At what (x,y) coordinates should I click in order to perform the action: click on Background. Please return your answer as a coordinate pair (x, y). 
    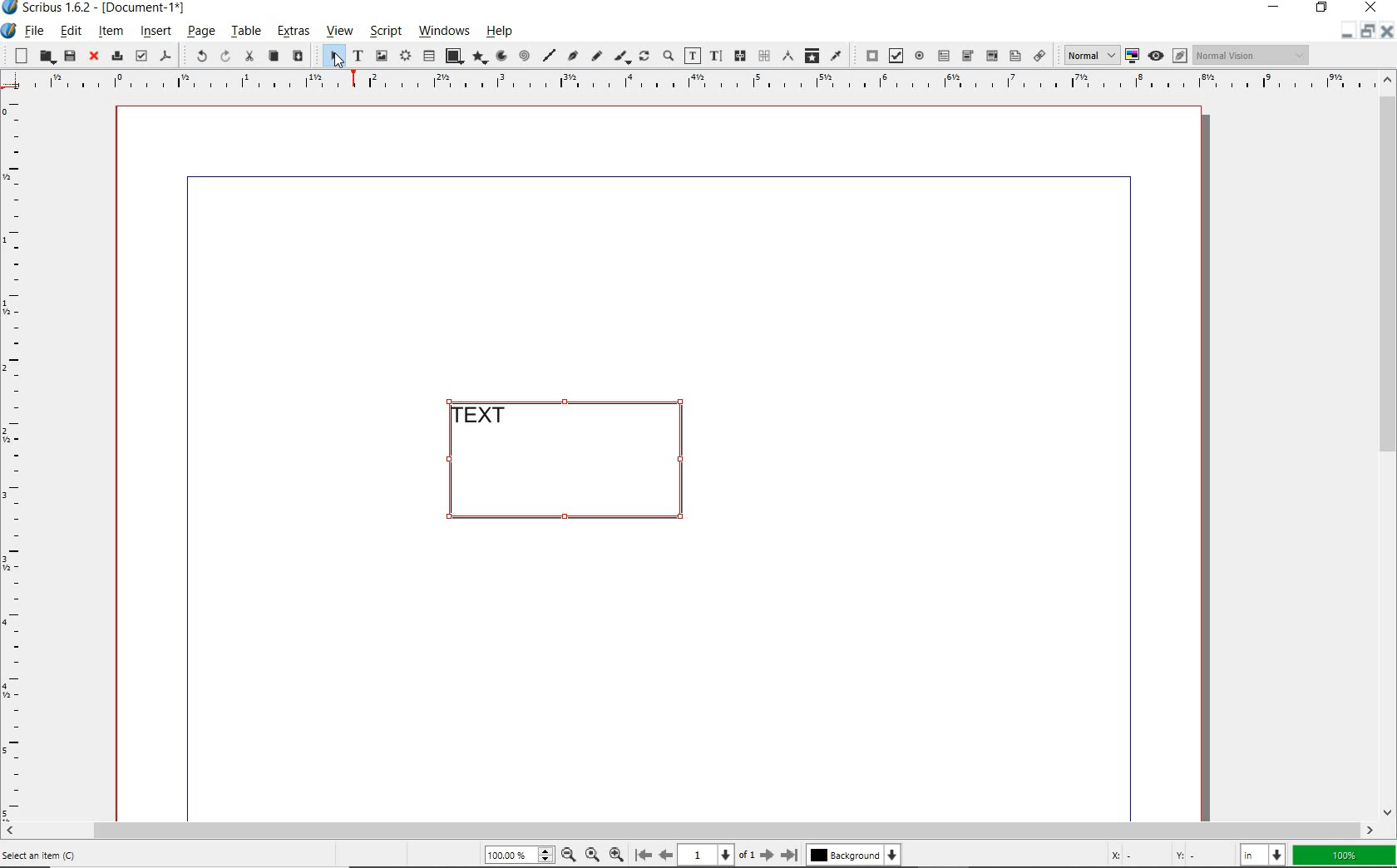
    Looking at the image, I should click on (853, 856).